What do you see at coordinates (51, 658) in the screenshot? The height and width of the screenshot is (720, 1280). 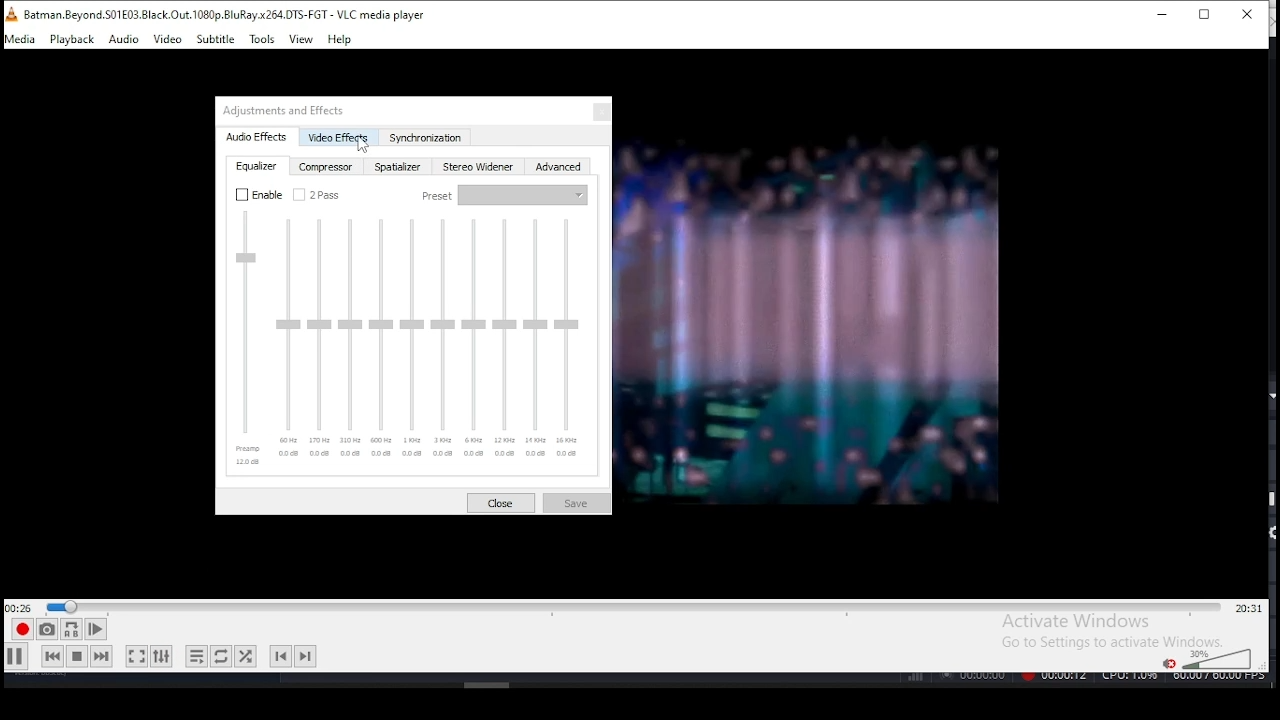 I see `previous media in track, skips backward when held` at bounding box center [51, 658].